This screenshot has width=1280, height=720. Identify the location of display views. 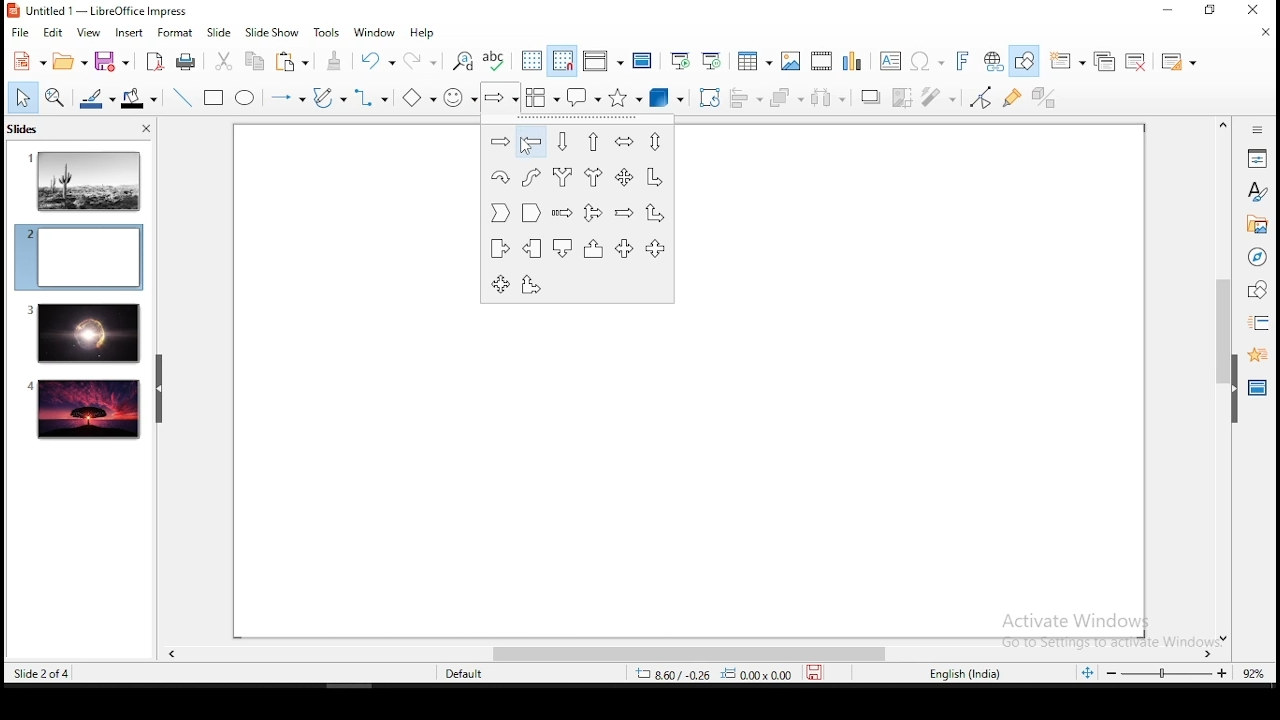
(601, 61).